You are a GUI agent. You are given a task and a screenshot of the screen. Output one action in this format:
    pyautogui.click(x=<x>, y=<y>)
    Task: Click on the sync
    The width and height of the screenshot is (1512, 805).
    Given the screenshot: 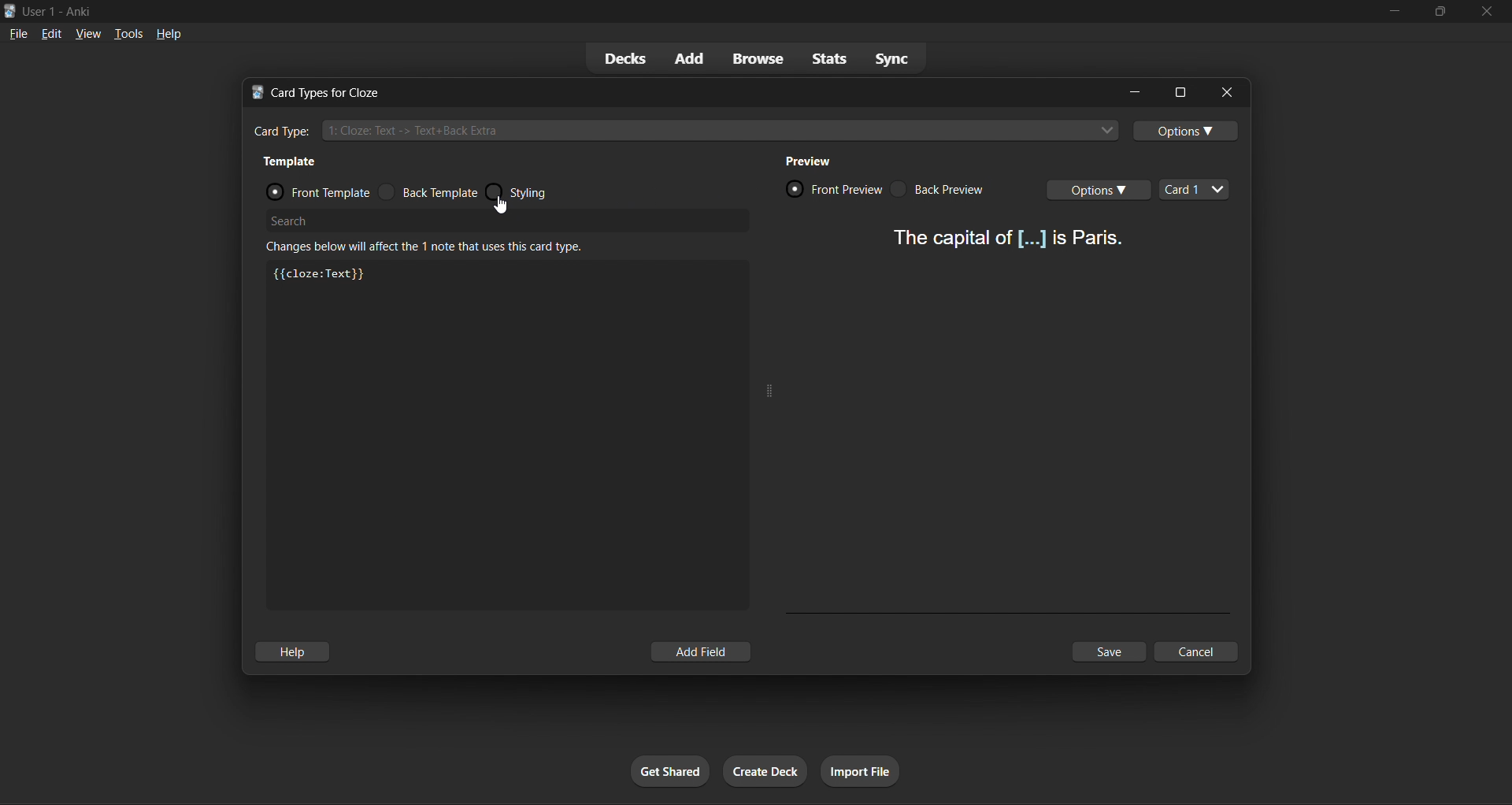 What is the action you would take?
    pyautogui.click(x=903, y=57)
    